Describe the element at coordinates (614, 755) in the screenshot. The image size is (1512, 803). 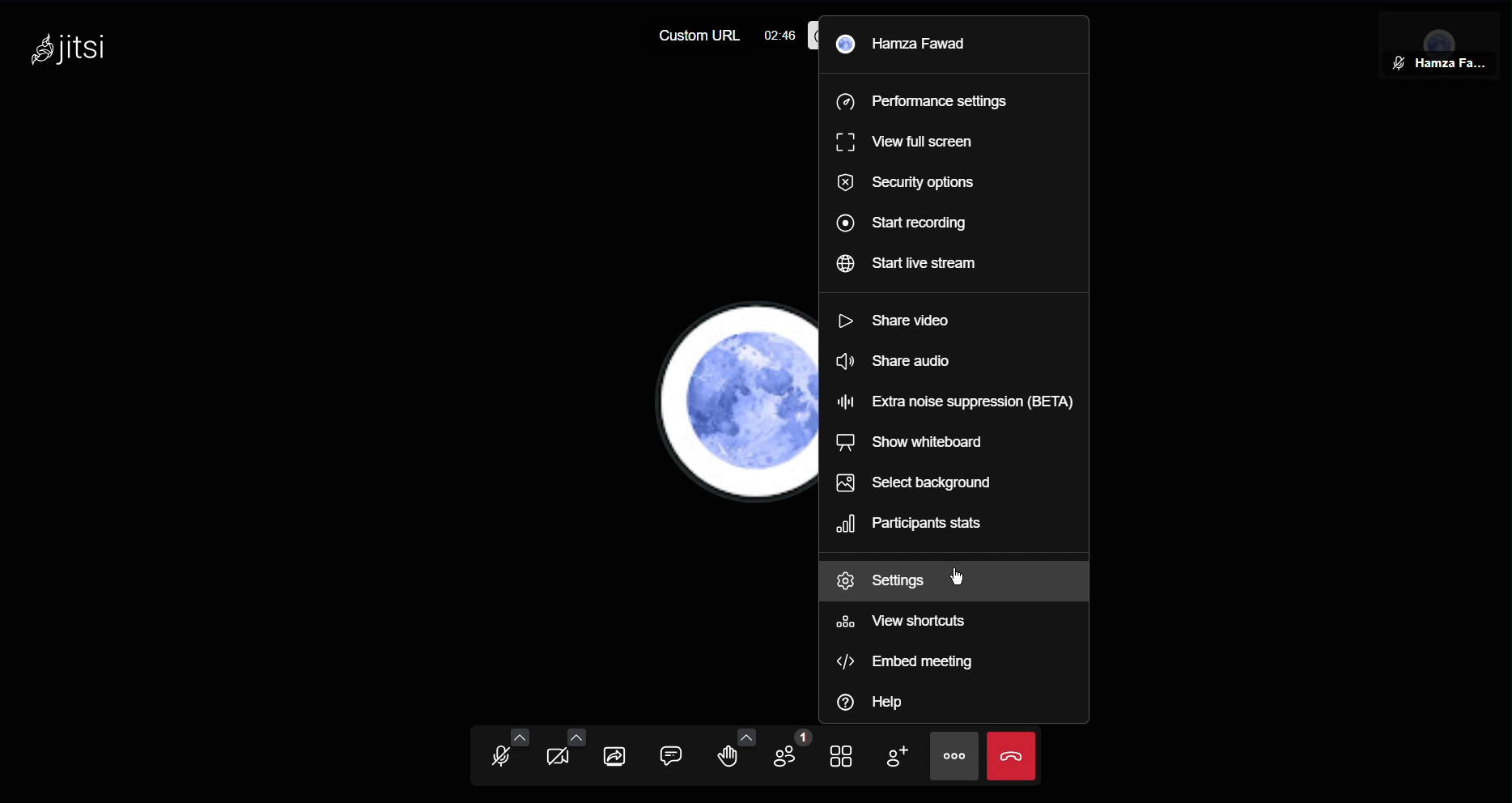
I see `Share screen` at that location.